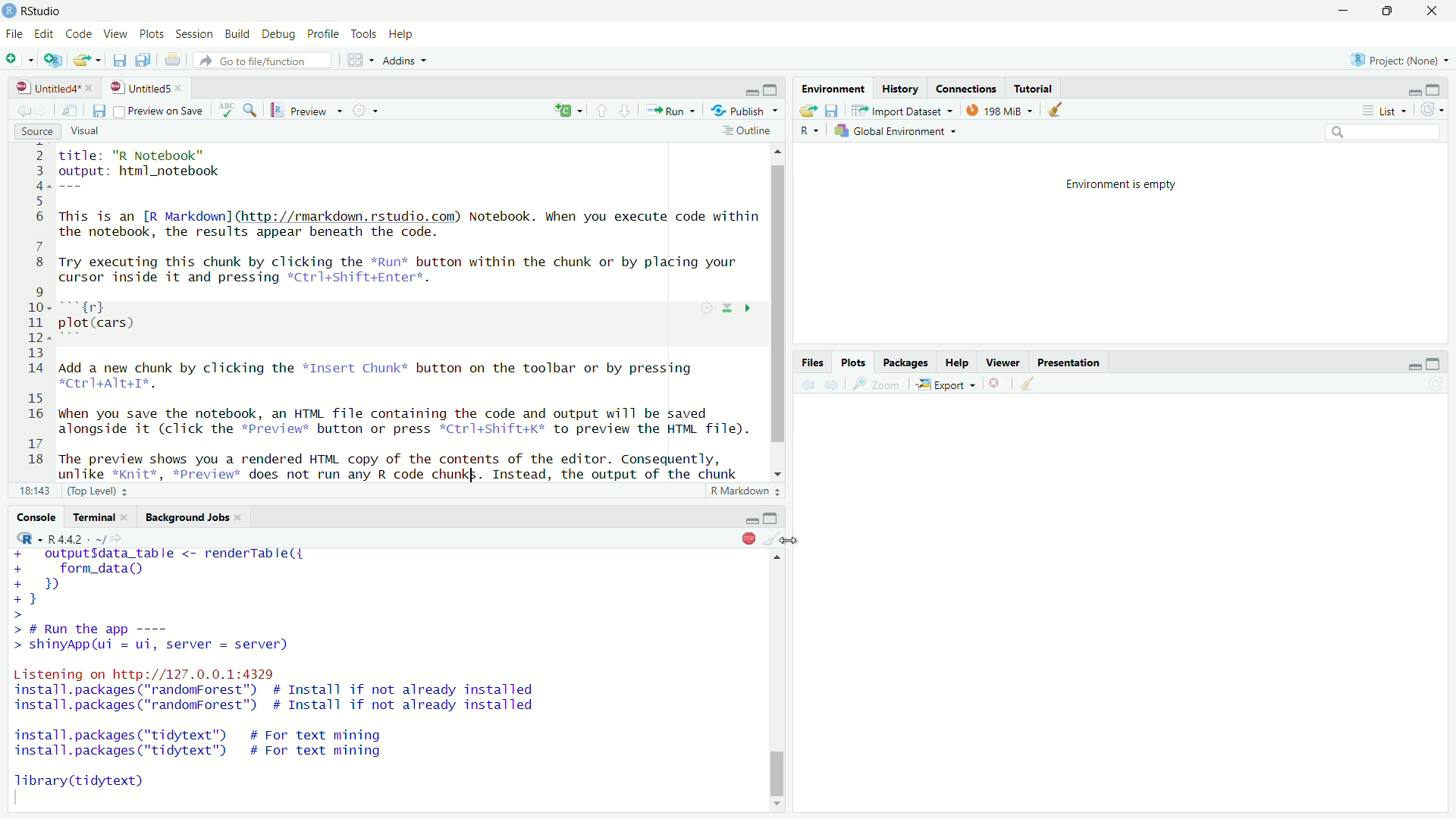  Describe the element at coordinates (34, 490) in the screenshot. I see `18:143` at that location.